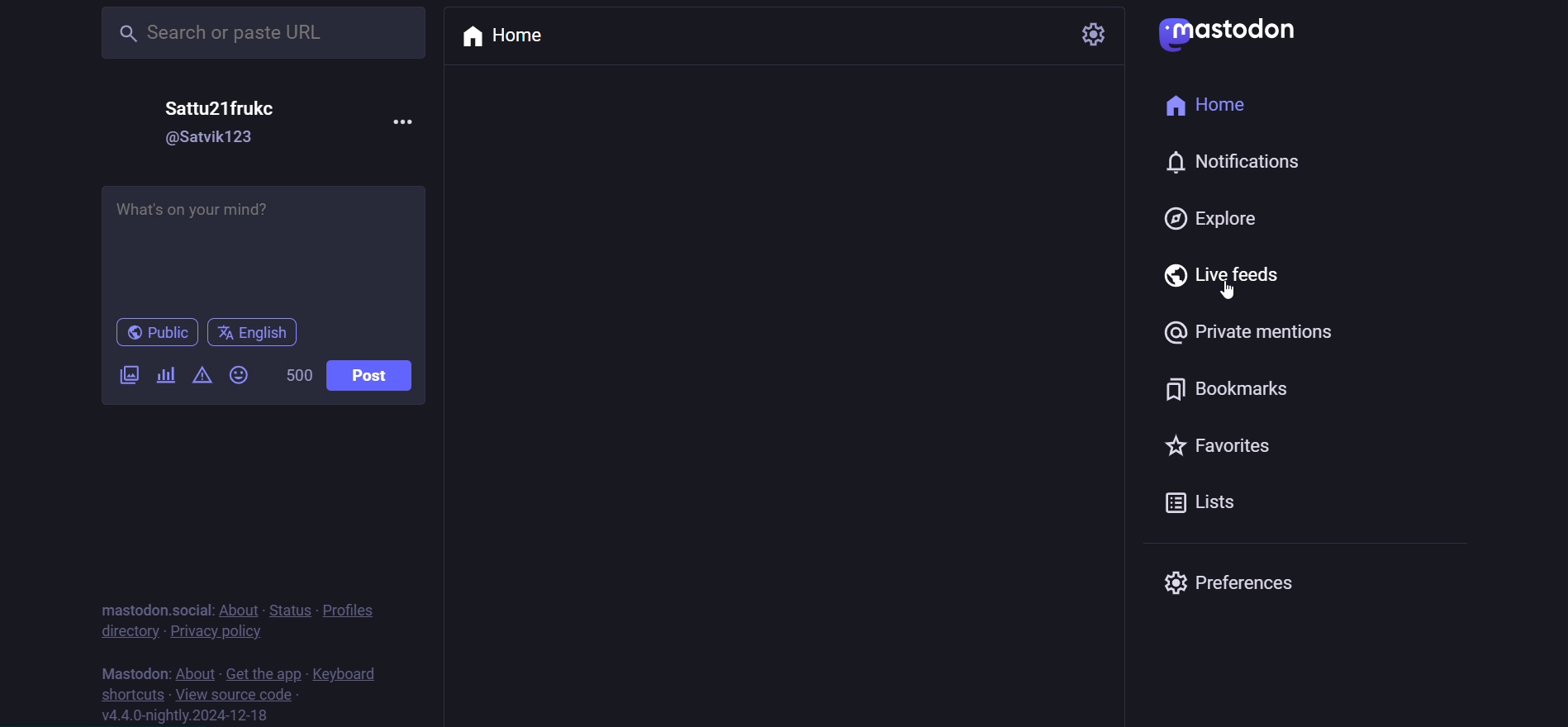 The width and height of the screenshot is (1568, 727). What do you see at coordinates (239, 611) in the screenshot?
I see `about` at bounding box center [239, 611].